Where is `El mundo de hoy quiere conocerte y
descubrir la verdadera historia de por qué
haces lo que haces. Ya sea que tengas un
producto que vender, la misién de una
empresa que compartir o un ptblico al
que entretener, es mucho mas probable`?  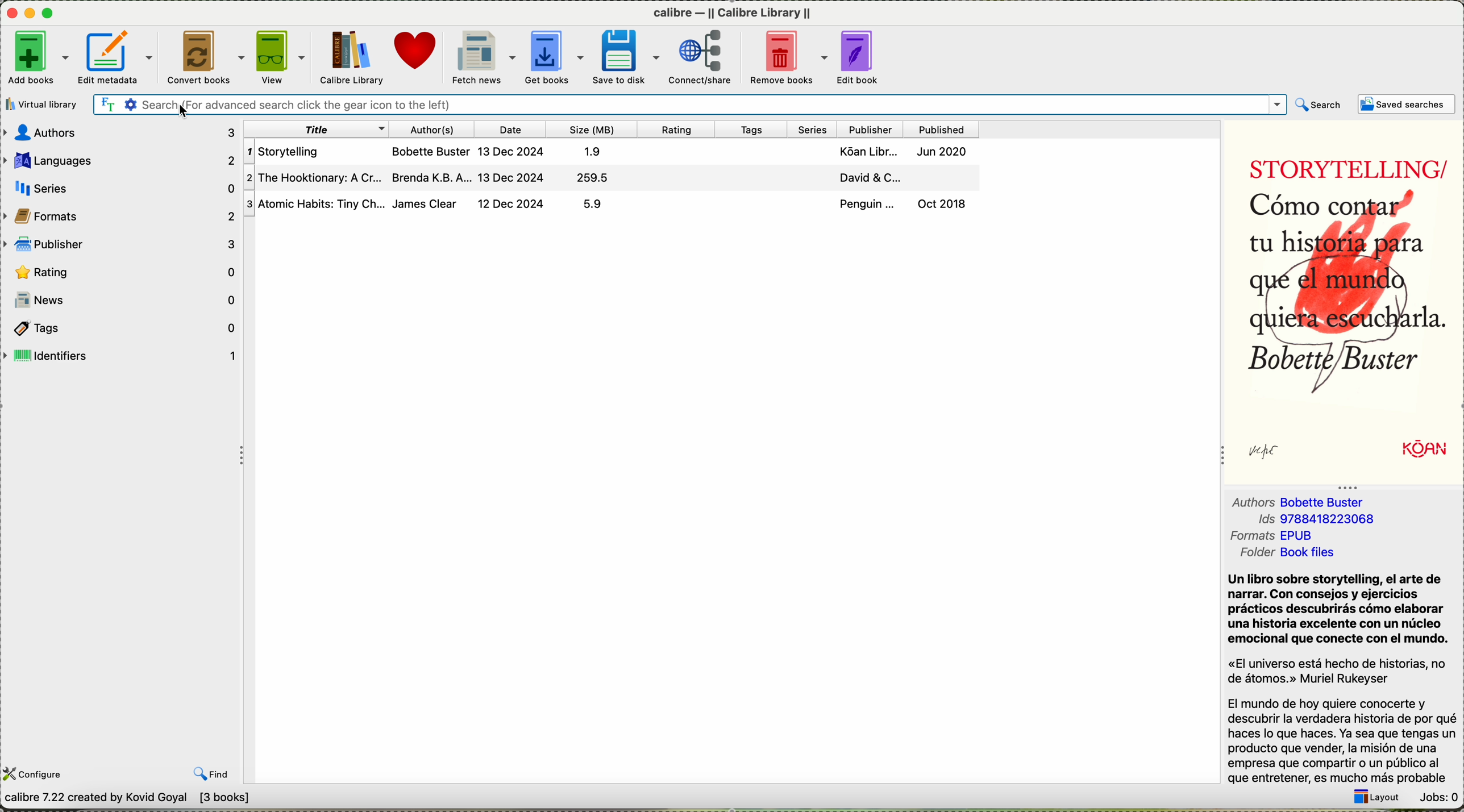
El mundo de hoy quiere conocerte y
descubrir la verdadera historia de por qué
haces lo que haces. Ya sea que tengas un
producto que vender, la misién de una
empresa que compartir o un ptblico al
que entretener, es mucho mas probable is located at coordinates (1342, 740).